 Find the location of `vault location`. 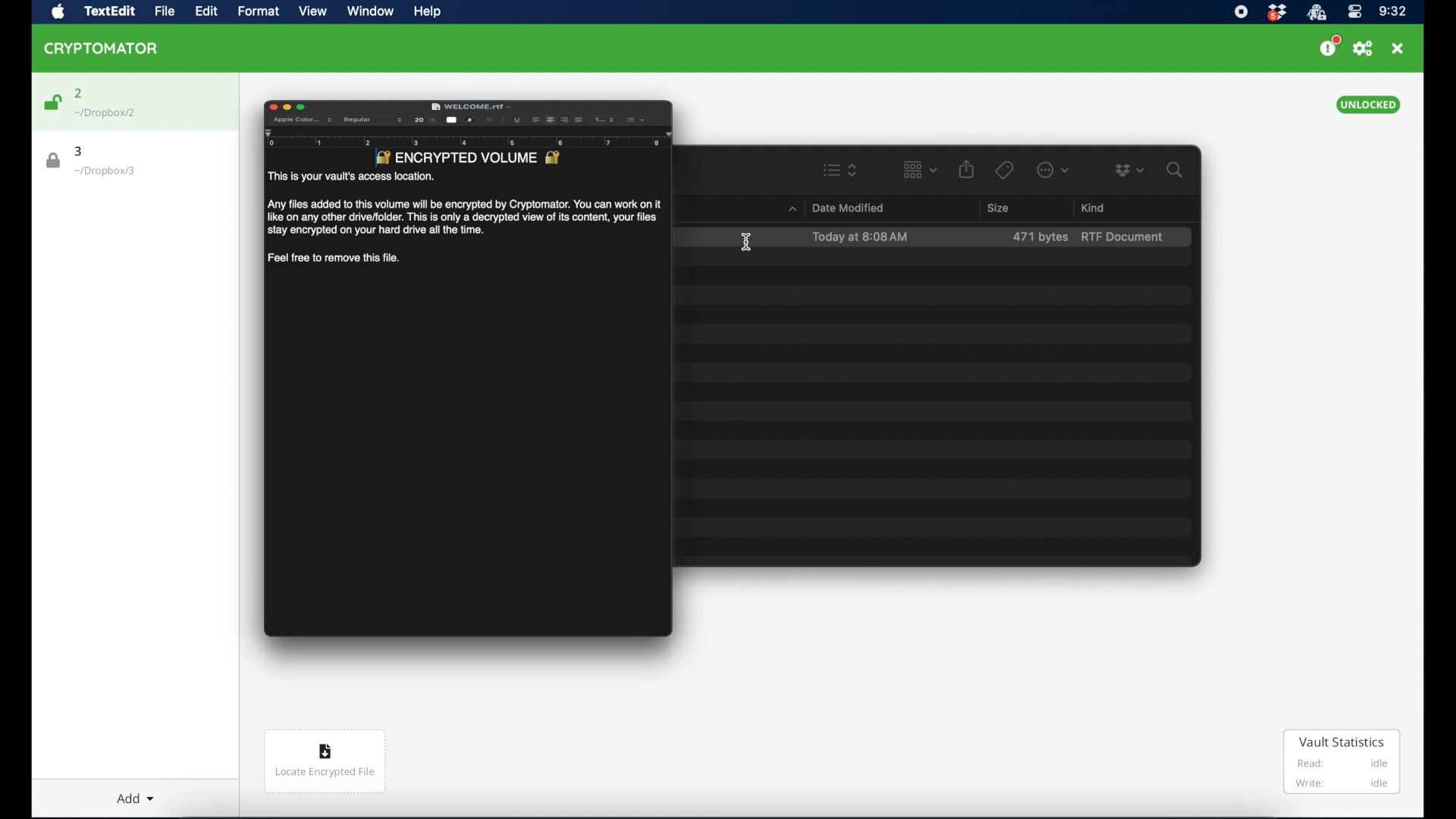

vault location is located at coordinates (111, 114).